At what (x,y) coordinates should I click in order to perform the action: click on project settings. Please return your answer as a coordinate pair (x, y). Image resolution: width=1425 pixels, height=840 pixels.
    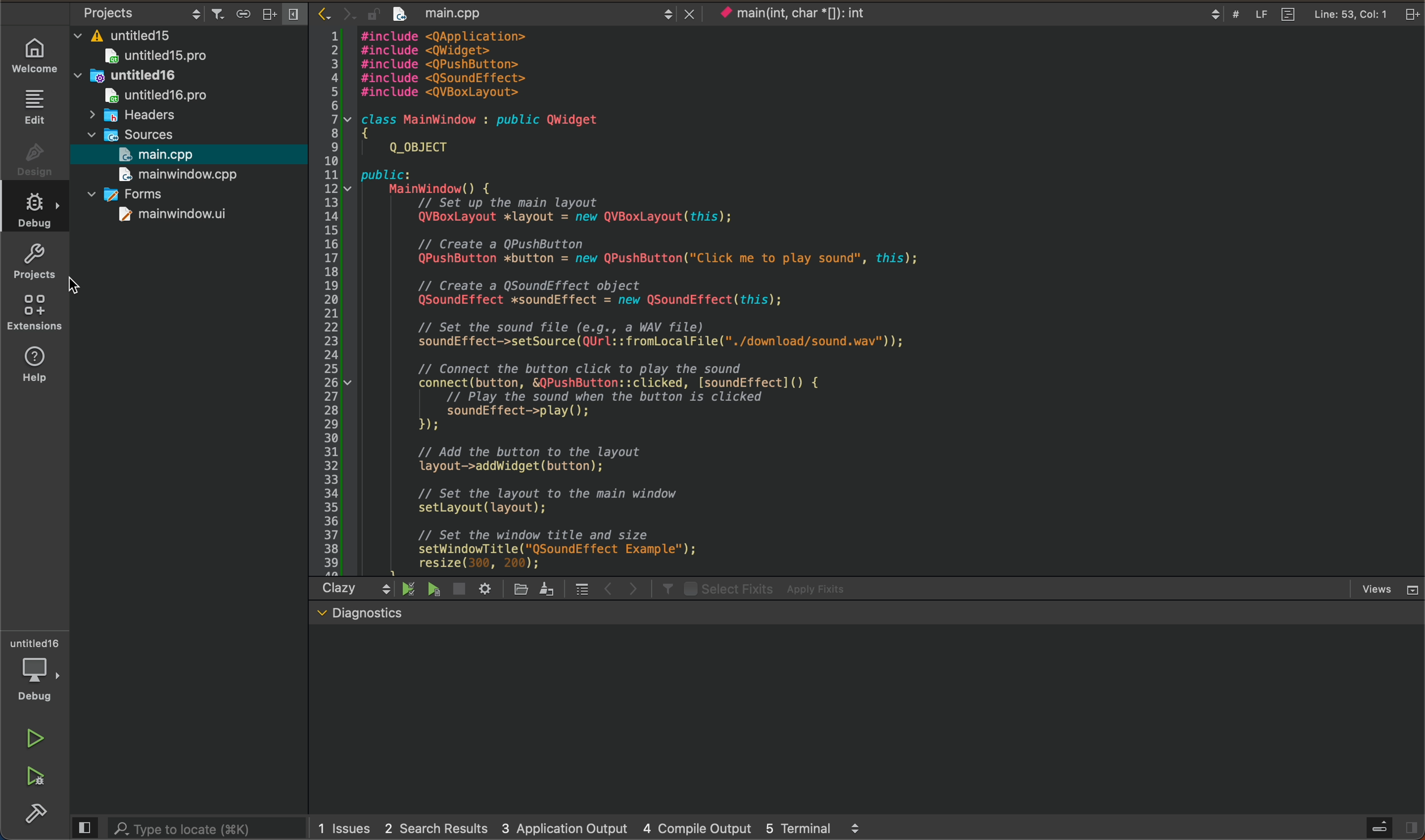
    Looking at the image, I should click on (251, 12).